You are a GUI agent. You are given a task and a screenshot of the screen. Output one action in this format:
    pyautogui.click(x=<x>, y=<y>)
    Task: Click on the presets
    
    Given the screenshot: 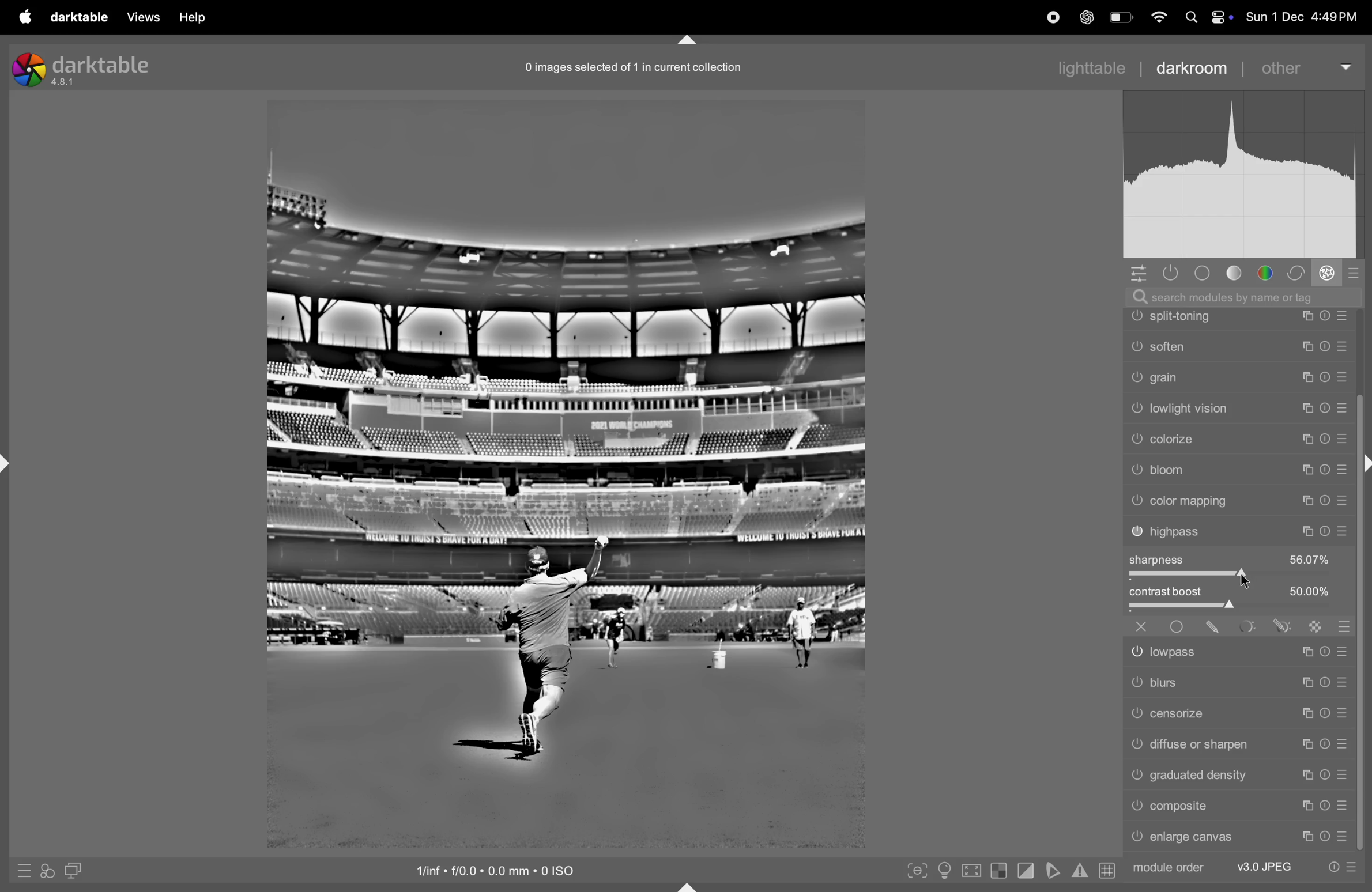 What is the action you would take?
    pyautogui.click(x=1352, y=275)
    